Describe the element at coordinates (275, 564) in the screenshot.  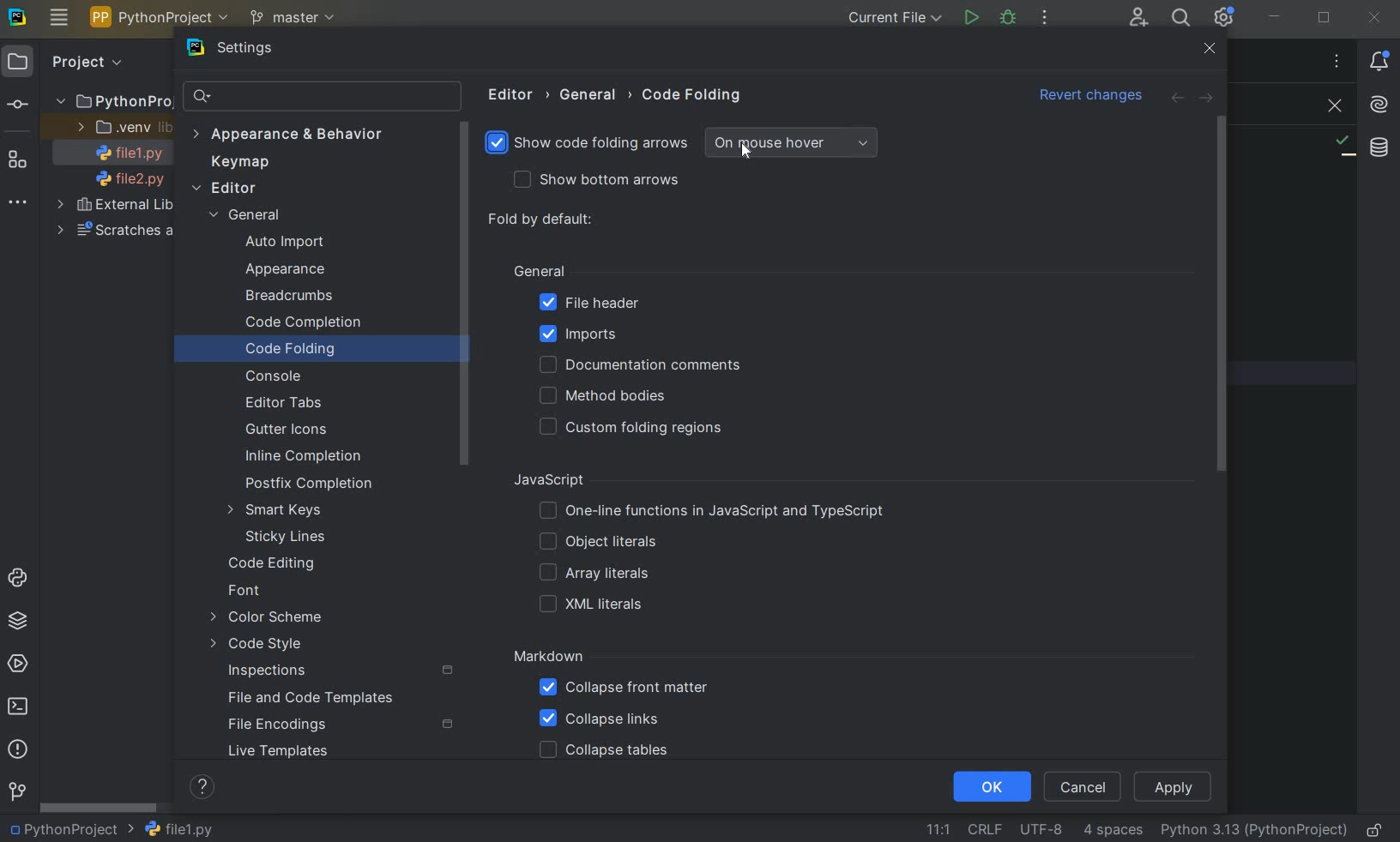
I see `CODE EDITING` at that location.